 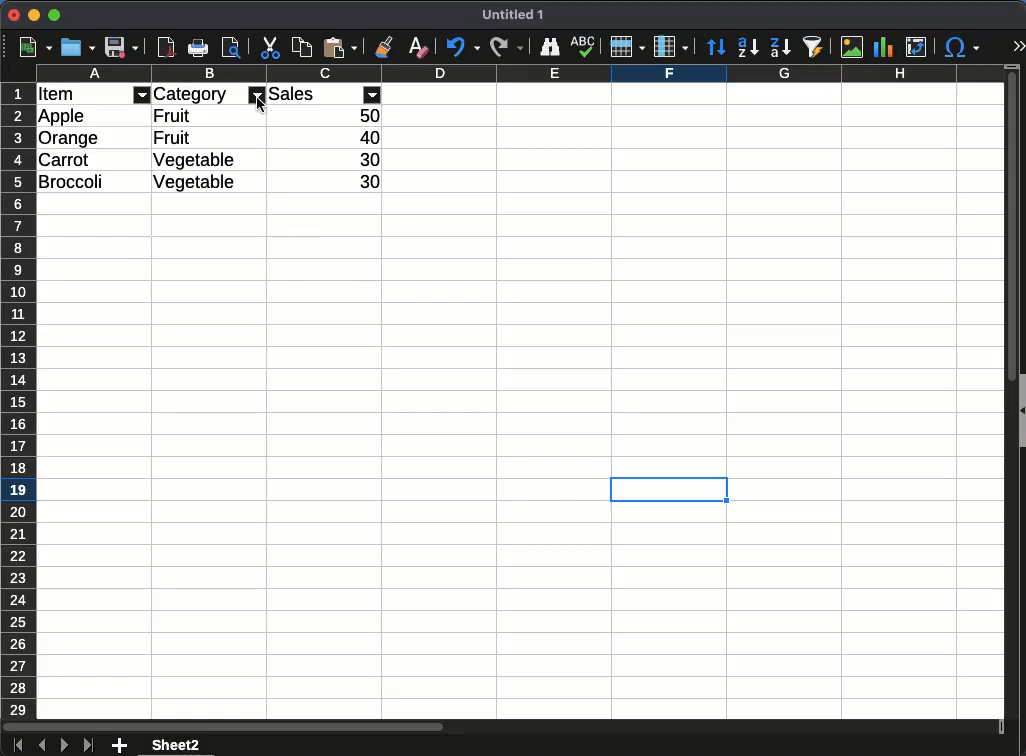 What do you see at coordinates (815, 48) in the screenshot?
I see `autofilter` at bounding box center [815, 48].